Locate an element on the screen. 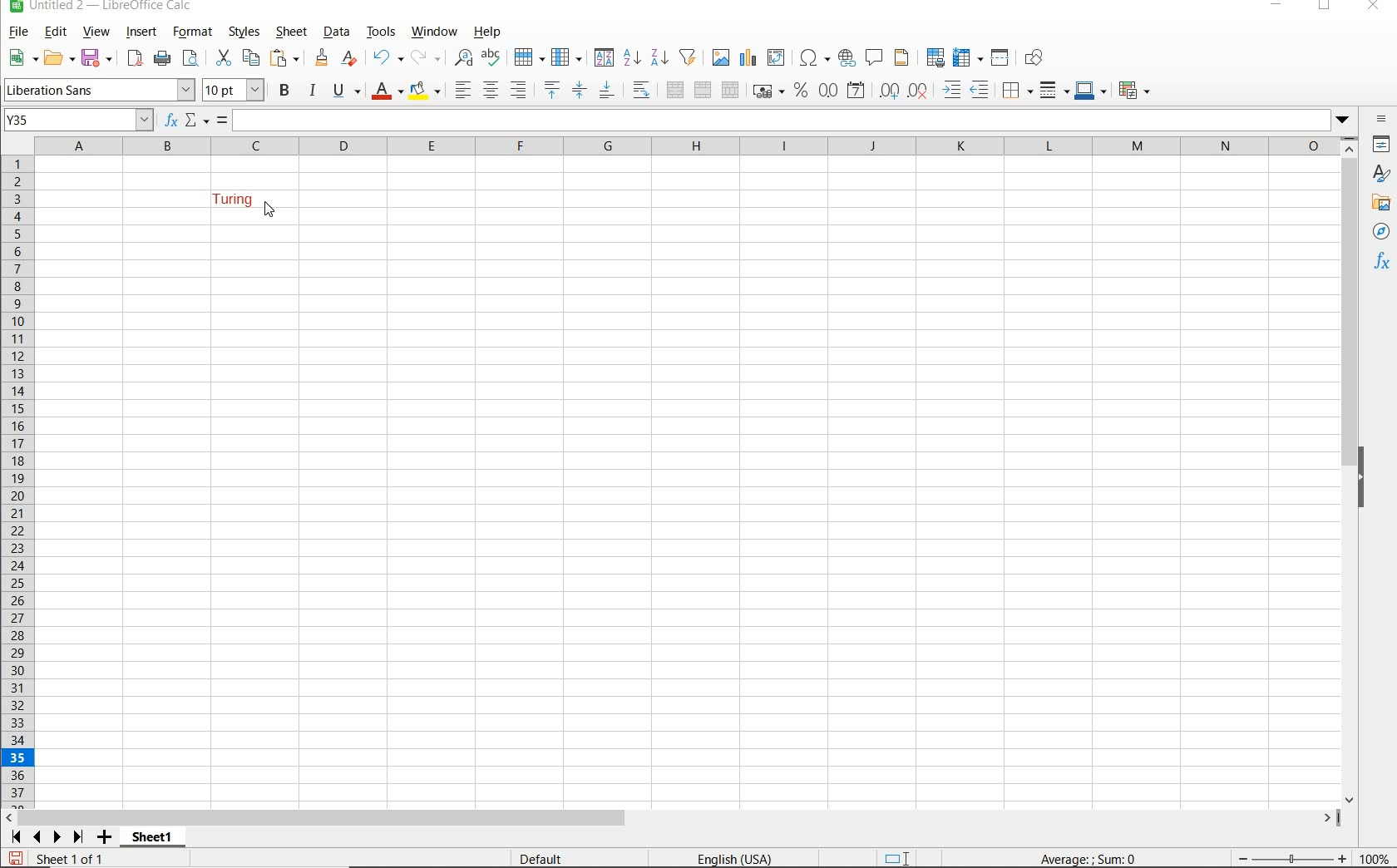 The width and height of the screenshot is (1397, 868). FORMAT AS NUMBER is located at coordinates (827, 91).